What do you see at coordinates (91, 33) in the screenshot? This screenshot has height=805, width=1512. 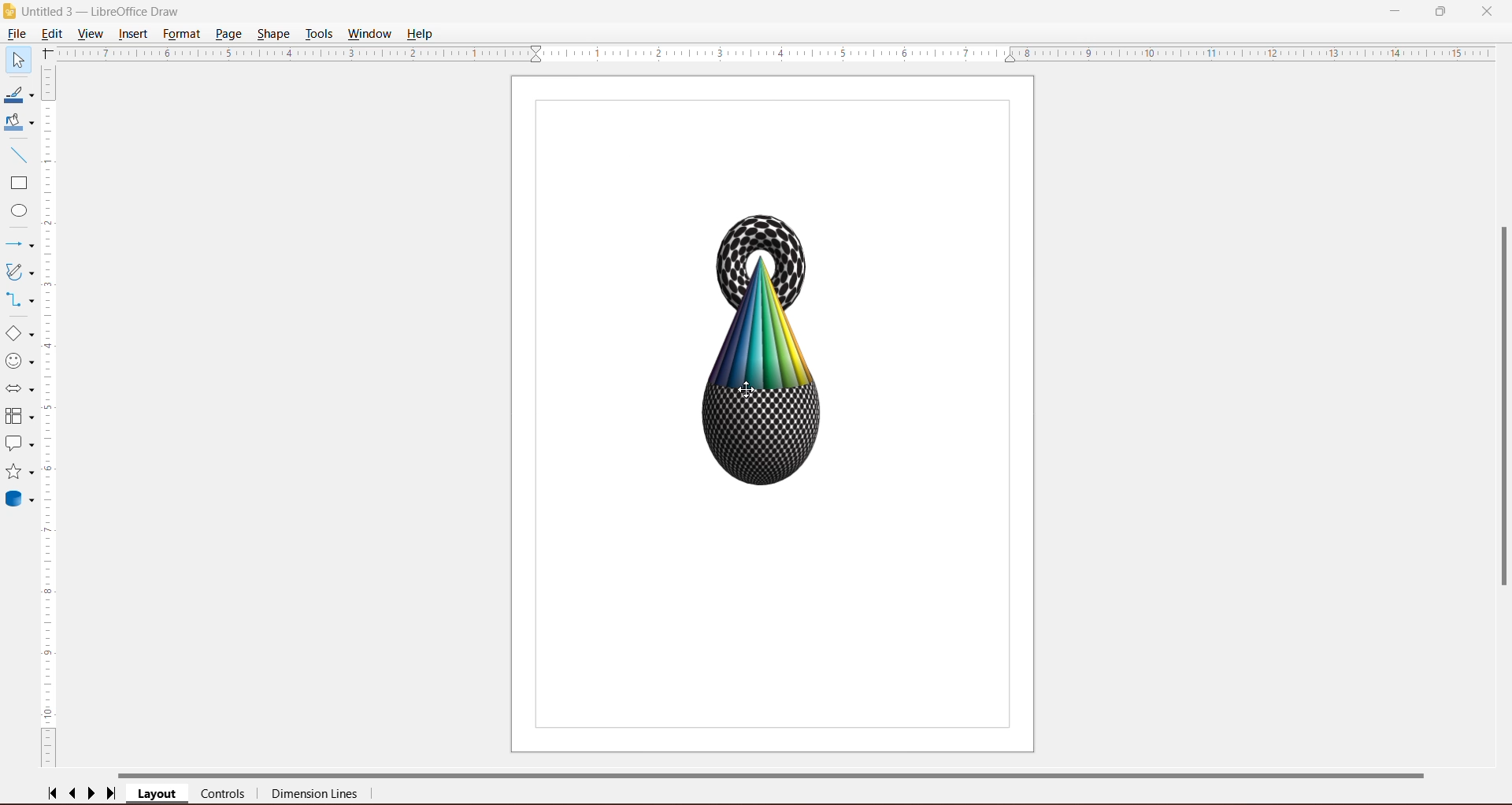 I see `View` at bounding box center [91, 33].